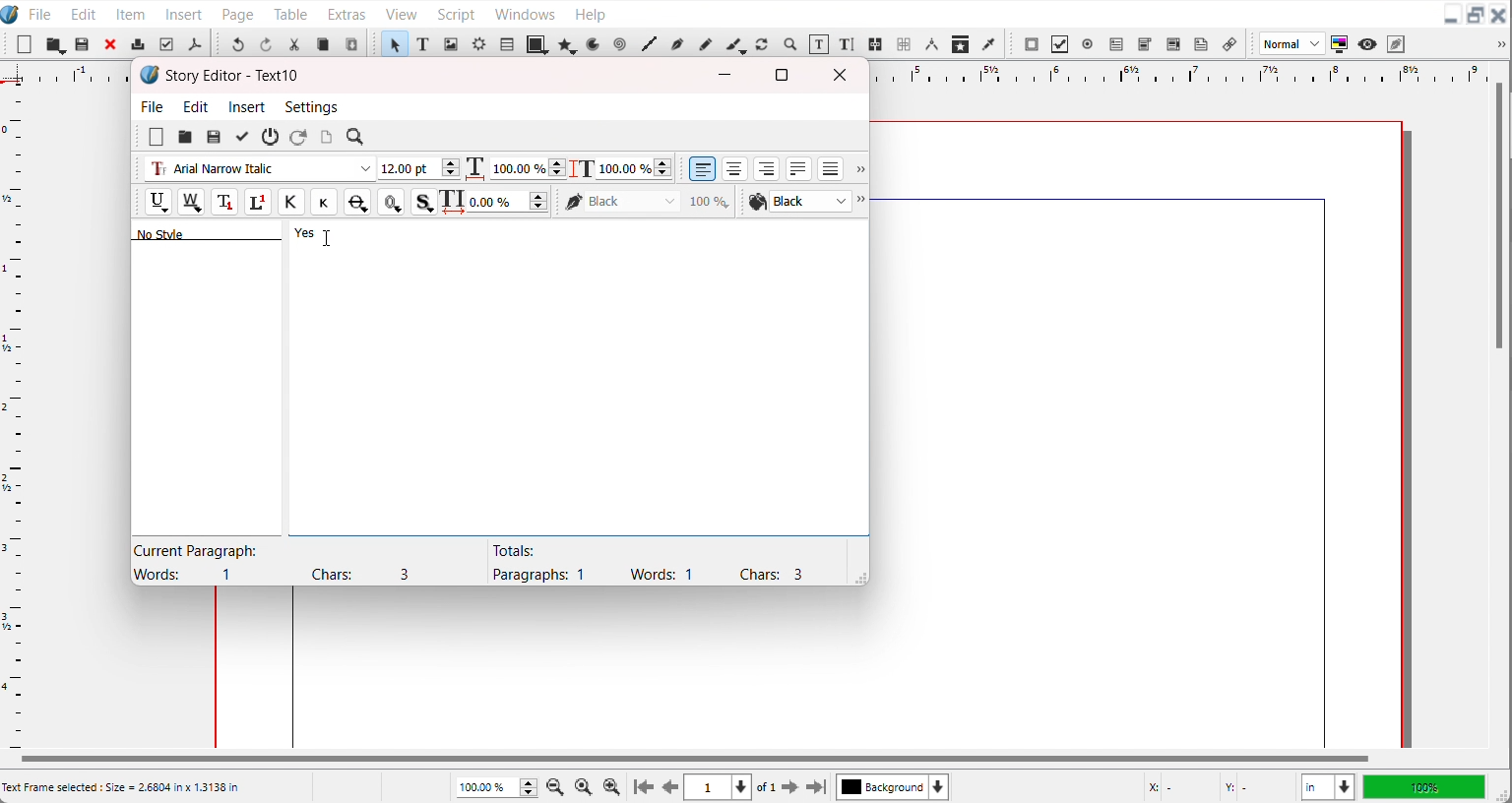 The width and height of the screenshot is (1512, 803). Describe the element at coordinates (498, 787) in the screenshot. I see `Adjust Zoom` at that location.